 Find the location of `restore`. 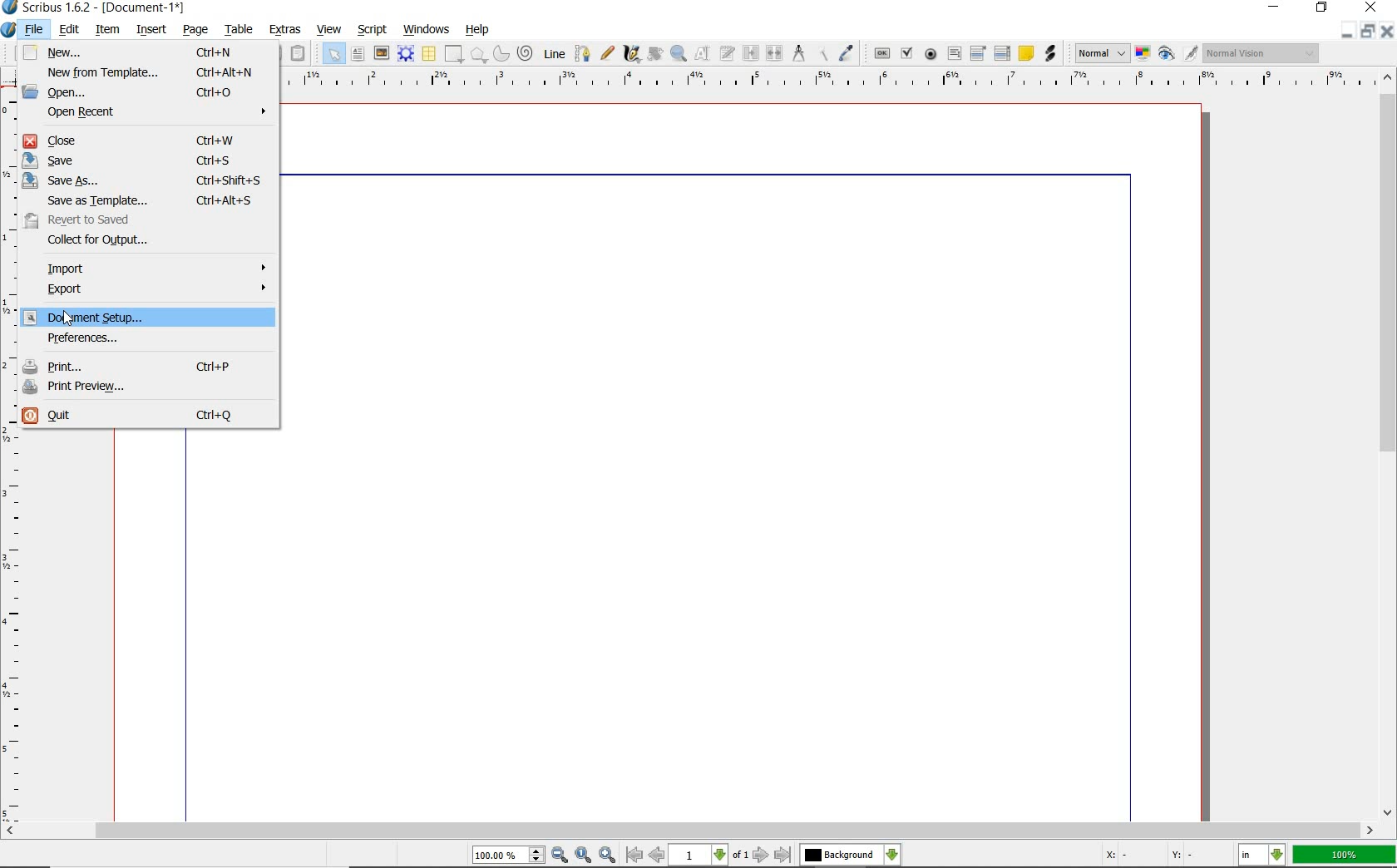

restore is located at coordinates (1370, 29).